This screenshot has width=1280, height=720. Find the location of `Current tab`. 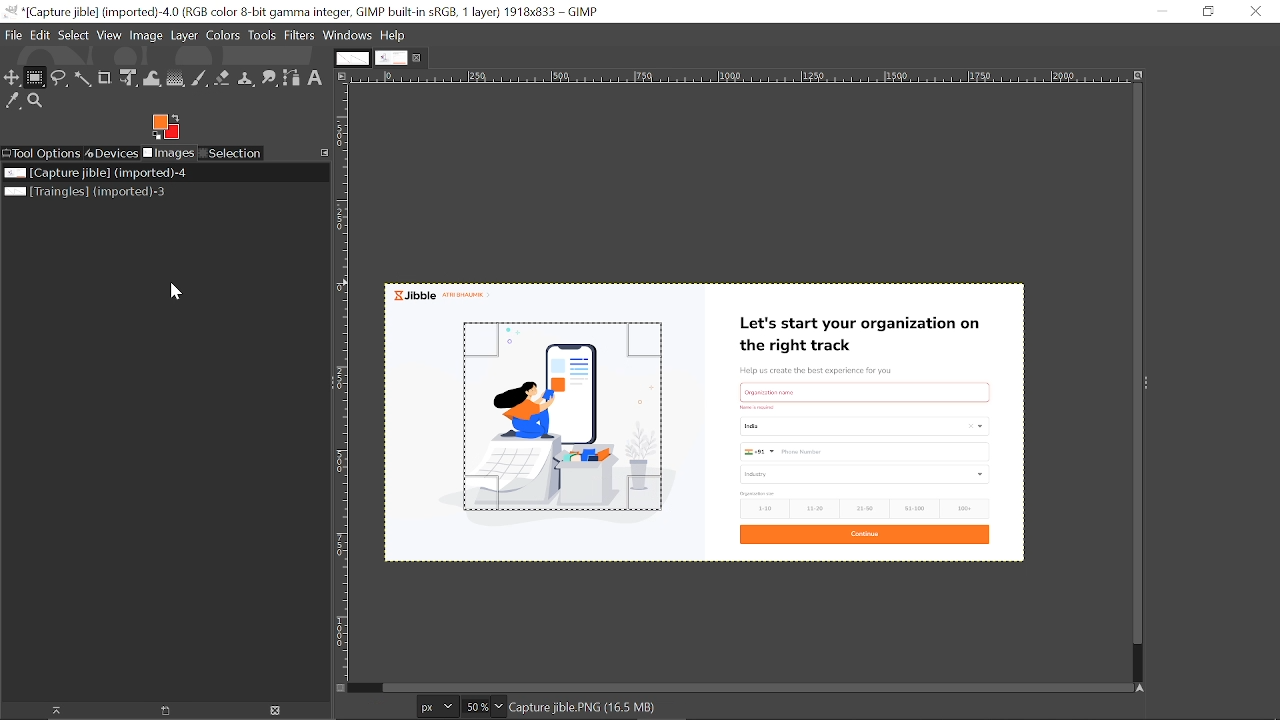

Current tab is located at coordinates (392, 58).